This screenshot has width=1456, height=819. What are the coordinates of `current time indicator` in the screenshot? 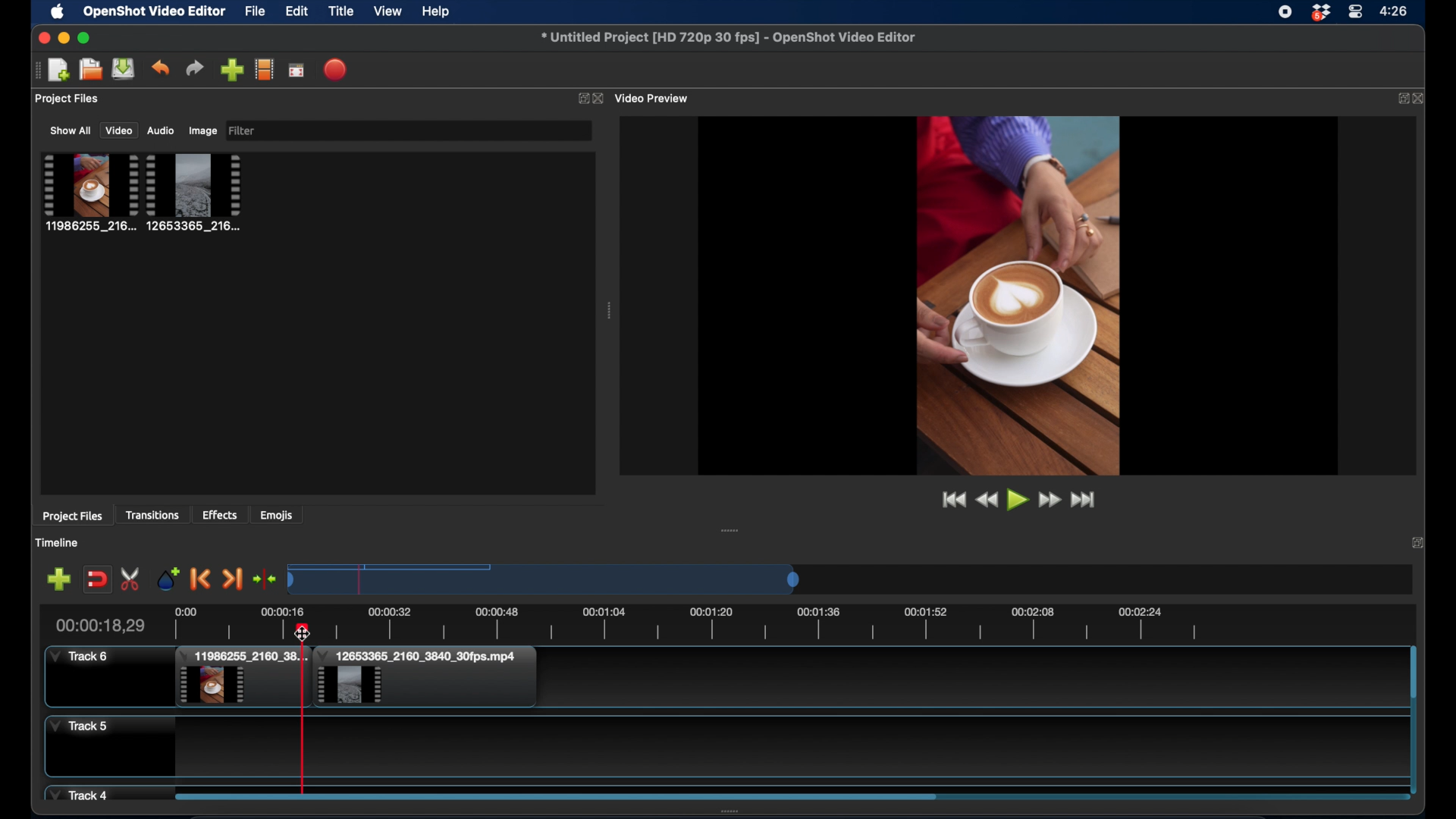 It's located at (99, 625).